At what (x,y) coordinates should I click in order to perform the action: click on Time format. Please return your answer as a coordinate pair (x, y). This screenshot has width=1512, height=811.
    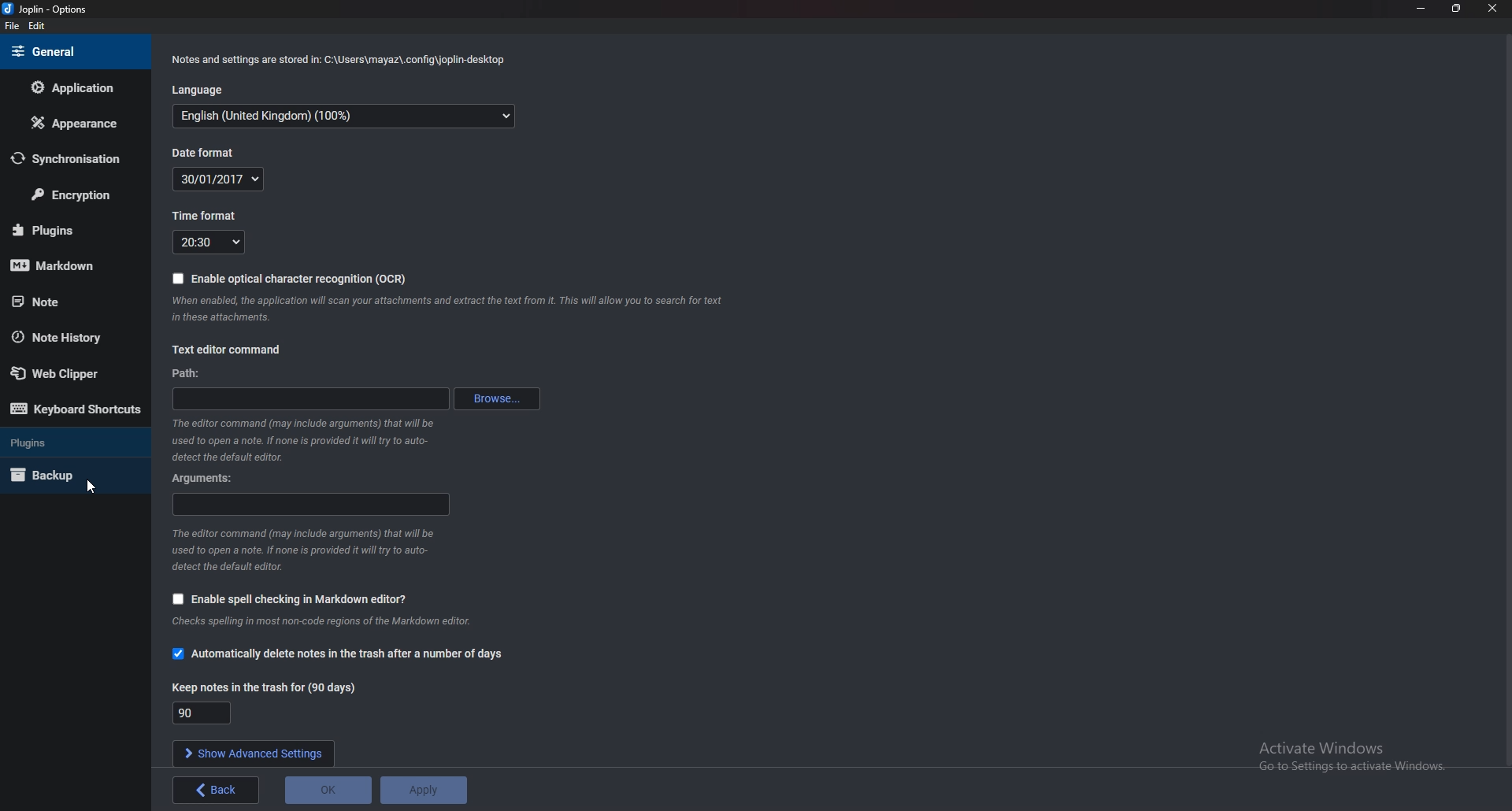
    Looking at the image, I should click on (211, 242).